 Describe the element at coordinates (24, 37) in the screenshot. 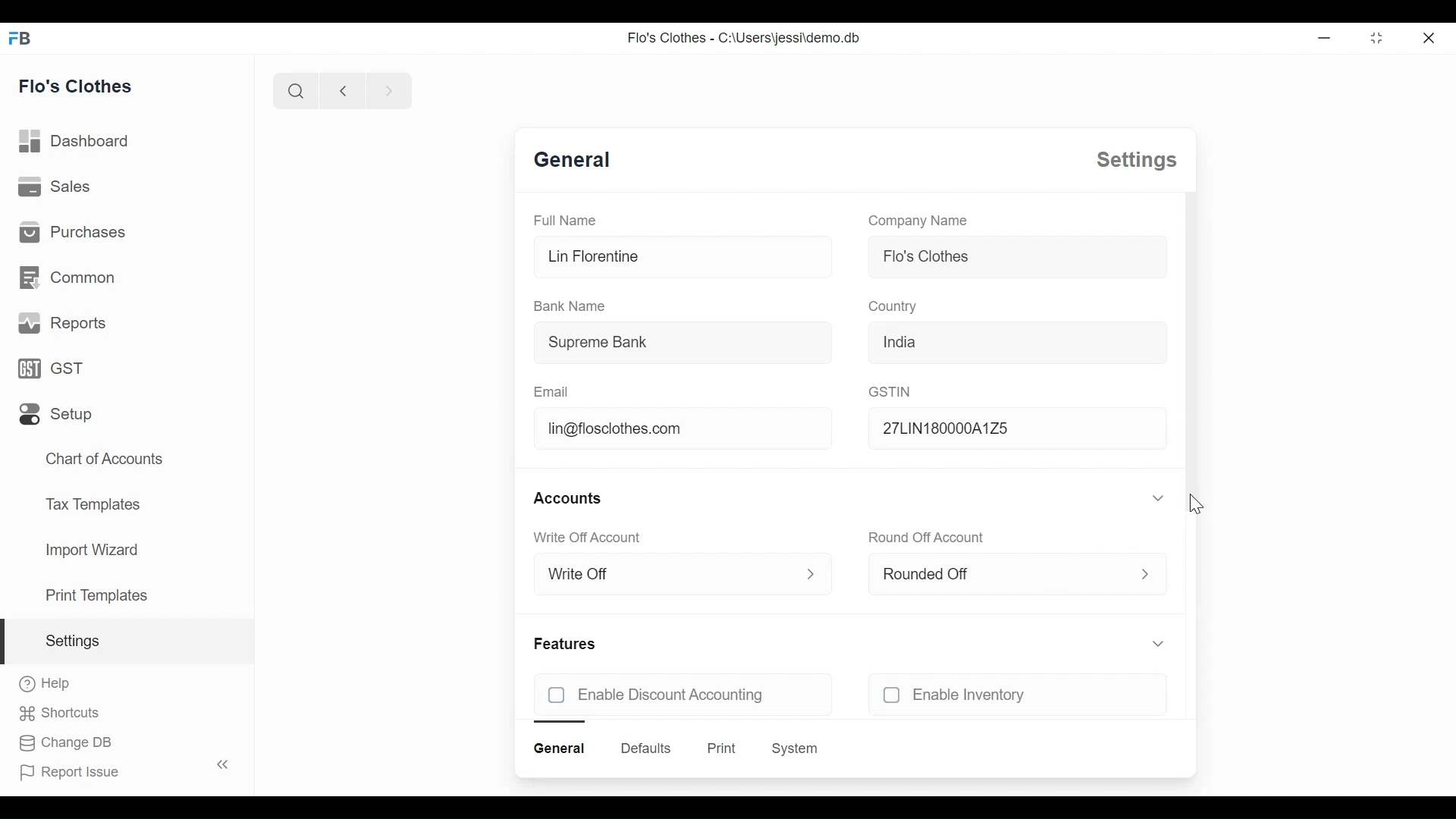

I see `Frappe Books Desktop icon` at that location.